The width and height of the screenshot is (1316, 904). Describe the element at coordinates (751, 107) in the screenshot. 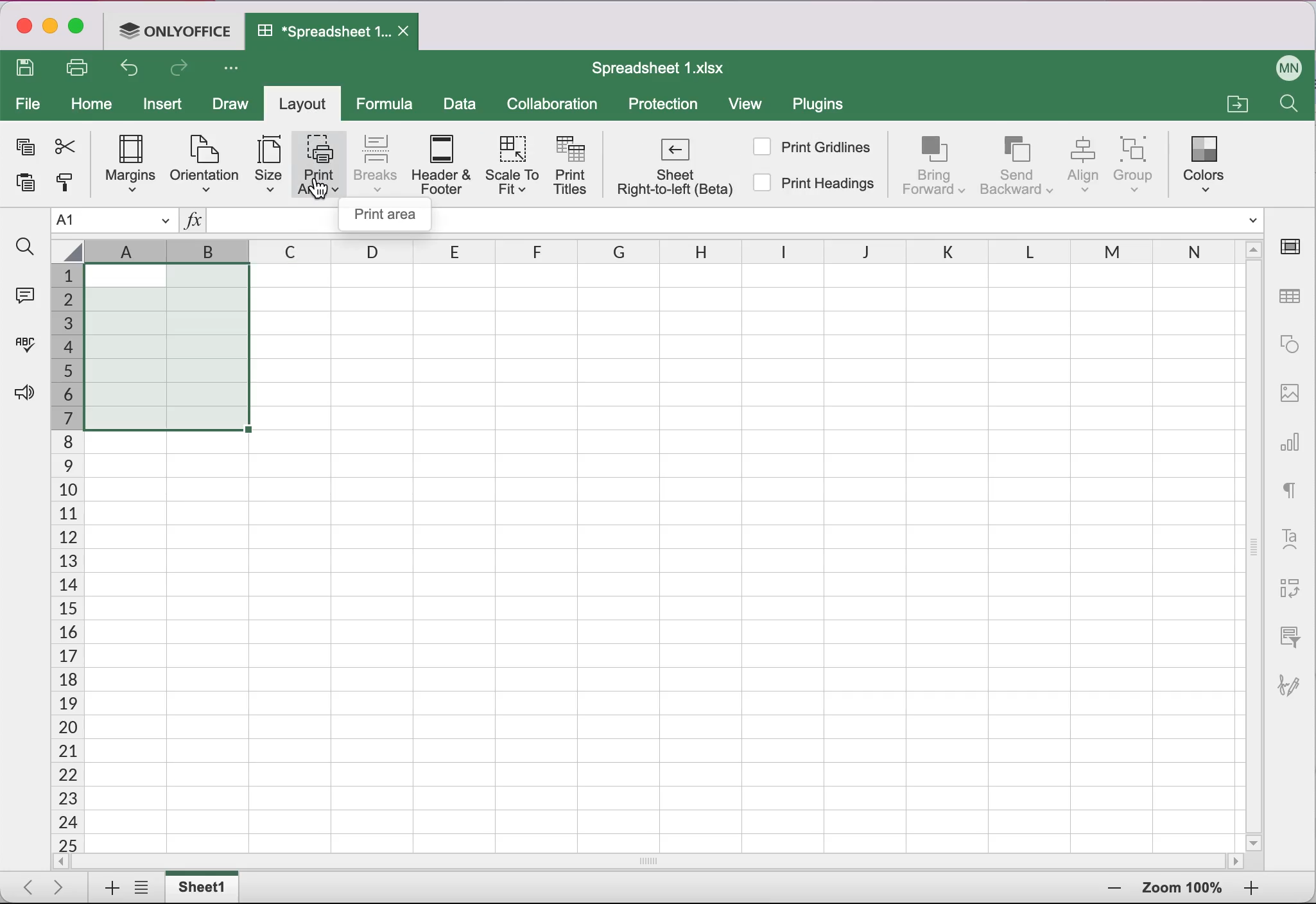

I see `view` at that location.